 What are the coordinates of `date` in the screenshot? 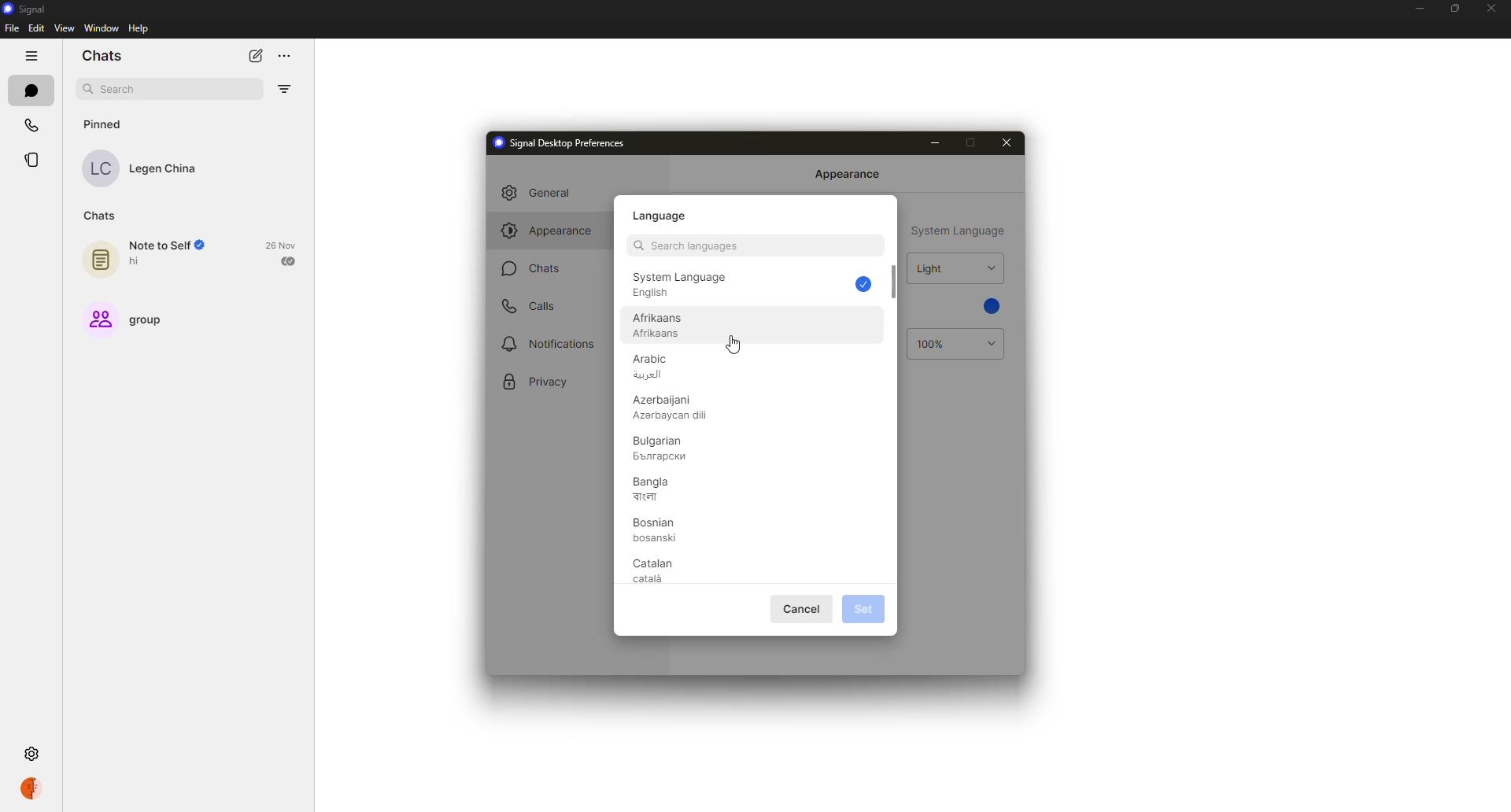 It's located at (281, 244).